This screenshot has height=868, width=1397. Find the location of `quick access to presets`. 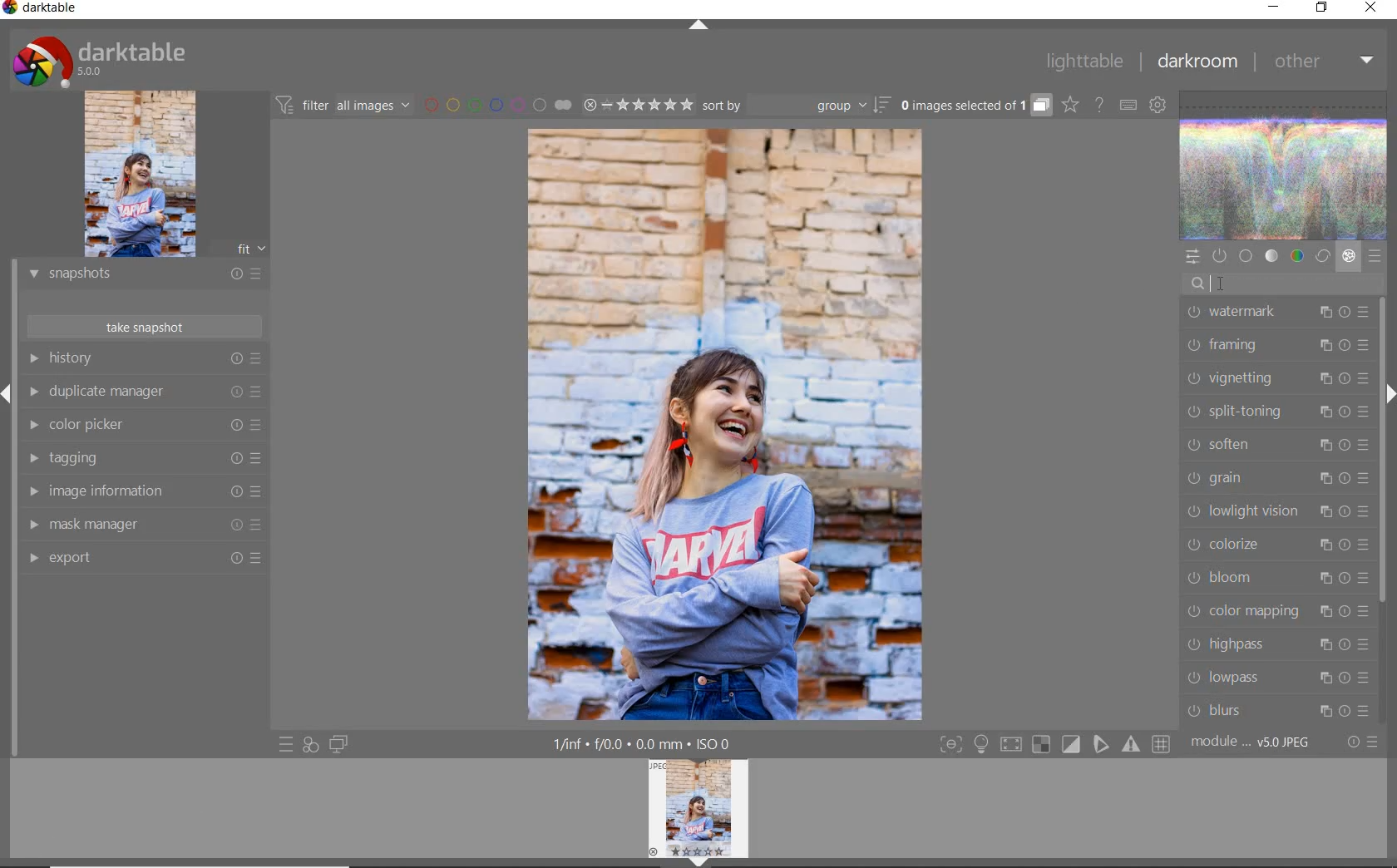

quick access to presets is located at coordinates (288, 743).